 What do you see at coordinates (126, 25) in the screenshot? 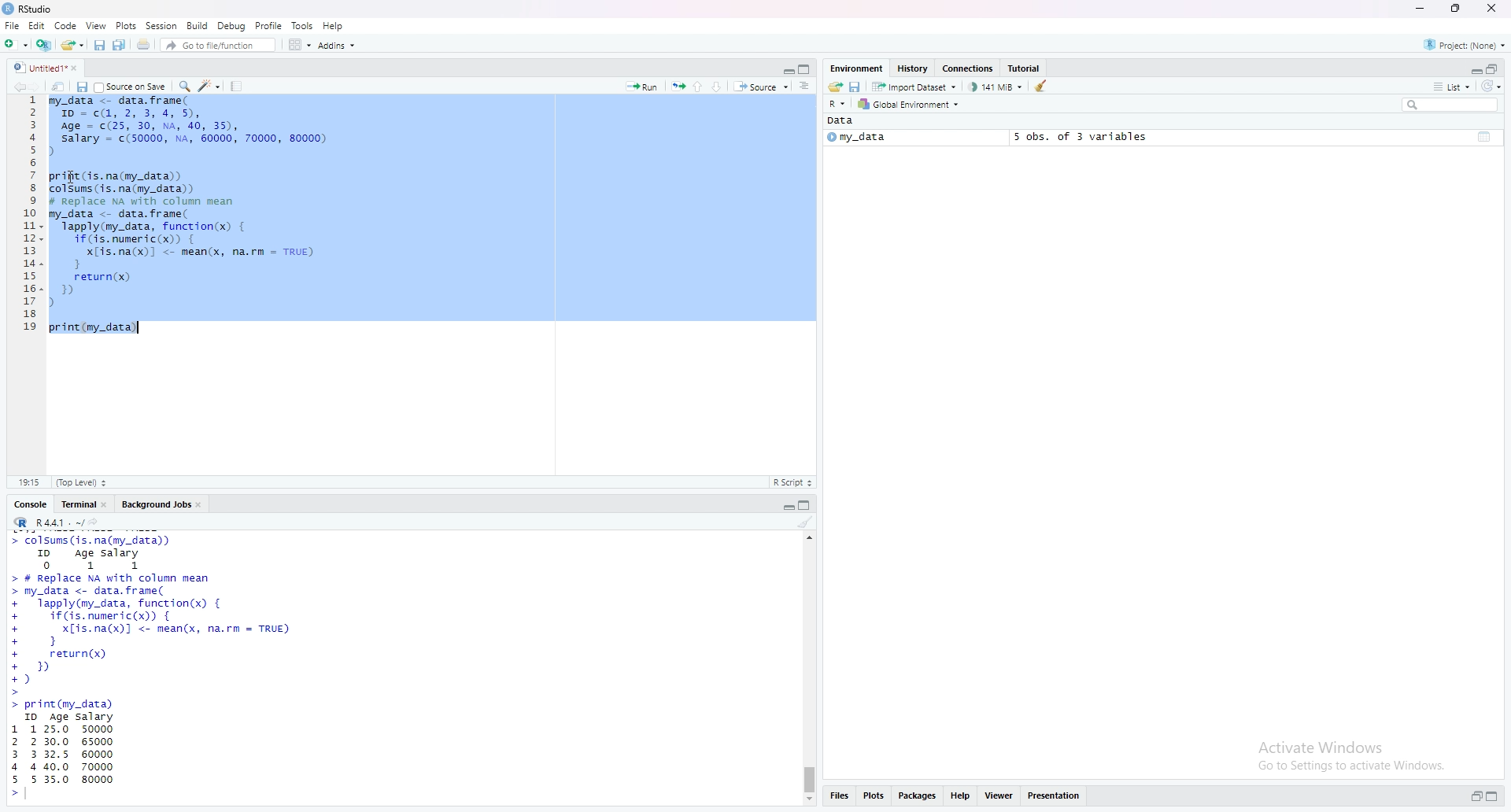
I see `Plots` at bounding box center [126, 25].